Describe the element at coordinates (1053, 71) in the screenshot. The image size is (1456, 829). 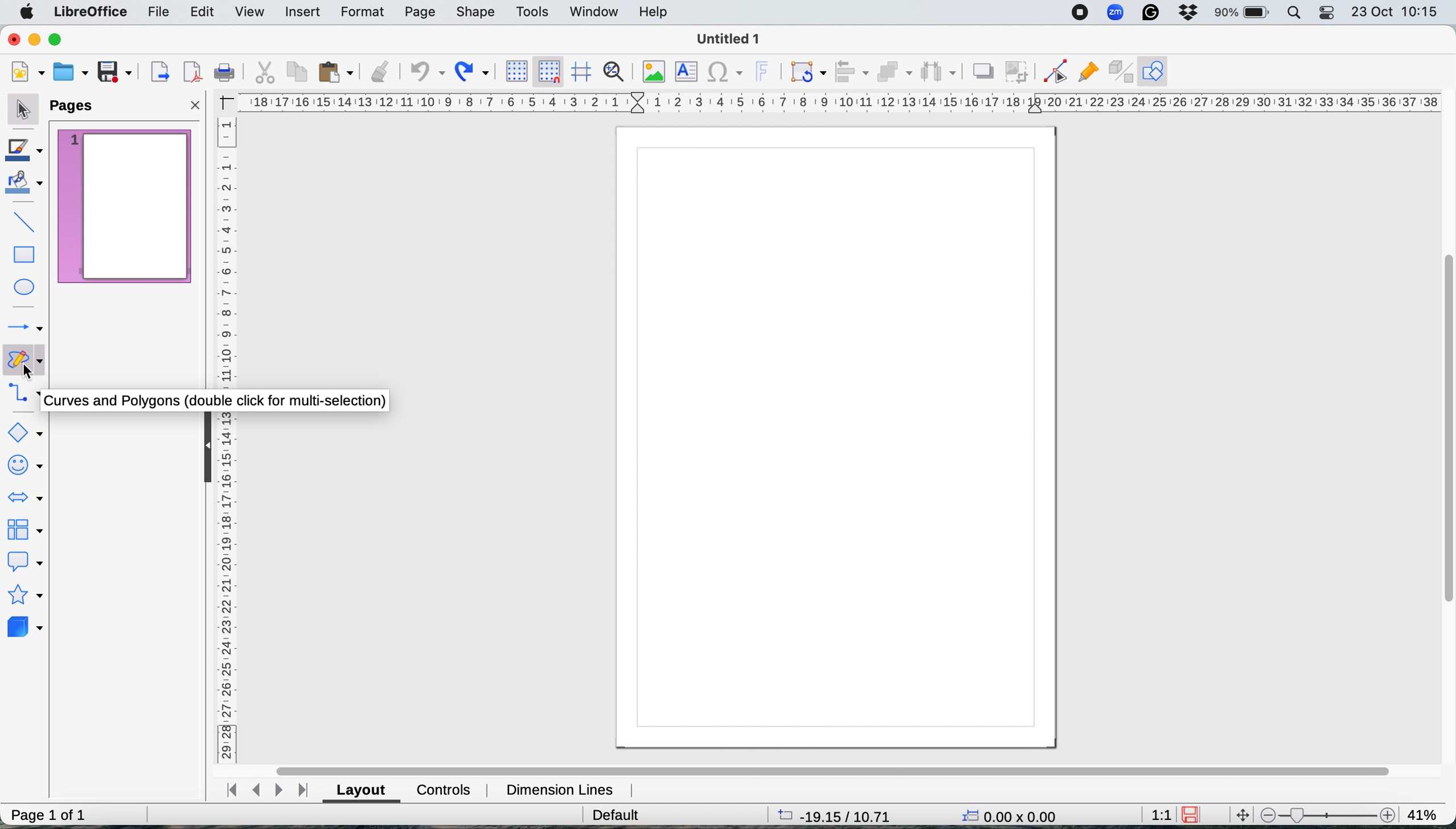
I see `toggle edit point mode` at that location.